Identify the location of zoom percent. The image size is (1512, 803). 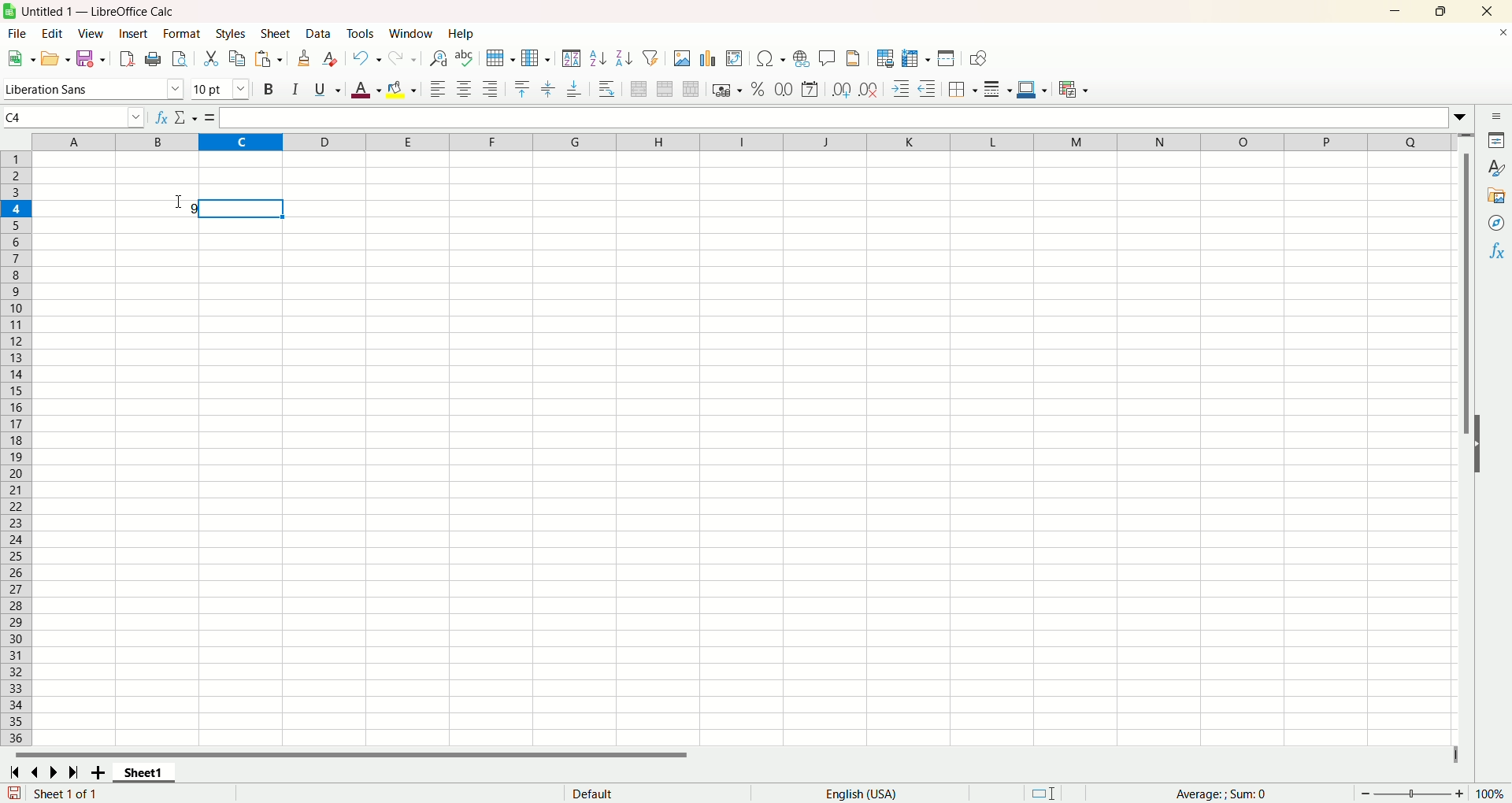
(1493, 793).